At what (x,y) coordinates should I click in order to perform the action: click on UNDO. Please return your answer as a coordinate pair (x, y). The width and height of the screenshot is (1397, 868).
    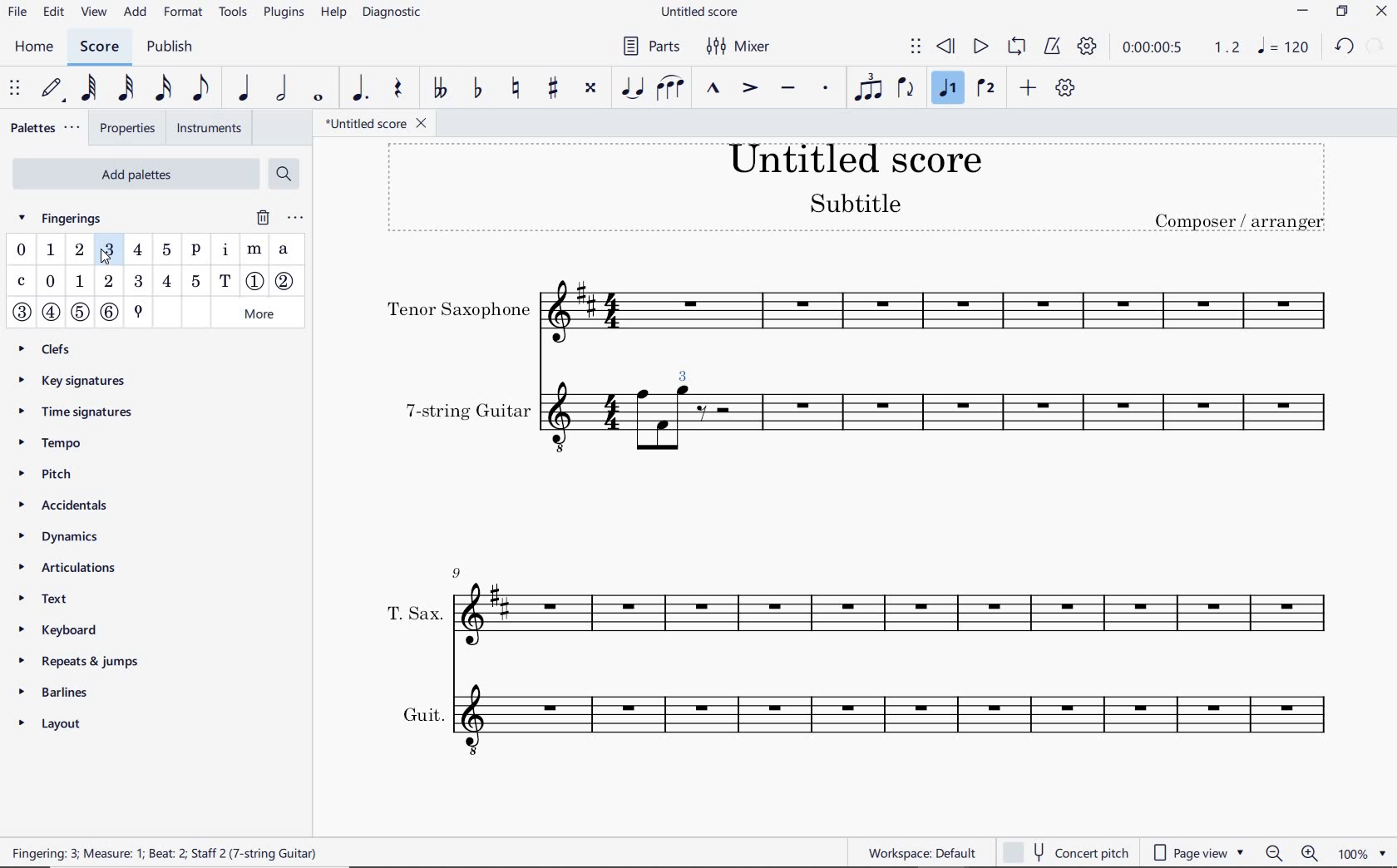
    Looking at the image, I should click on (1344, 46).